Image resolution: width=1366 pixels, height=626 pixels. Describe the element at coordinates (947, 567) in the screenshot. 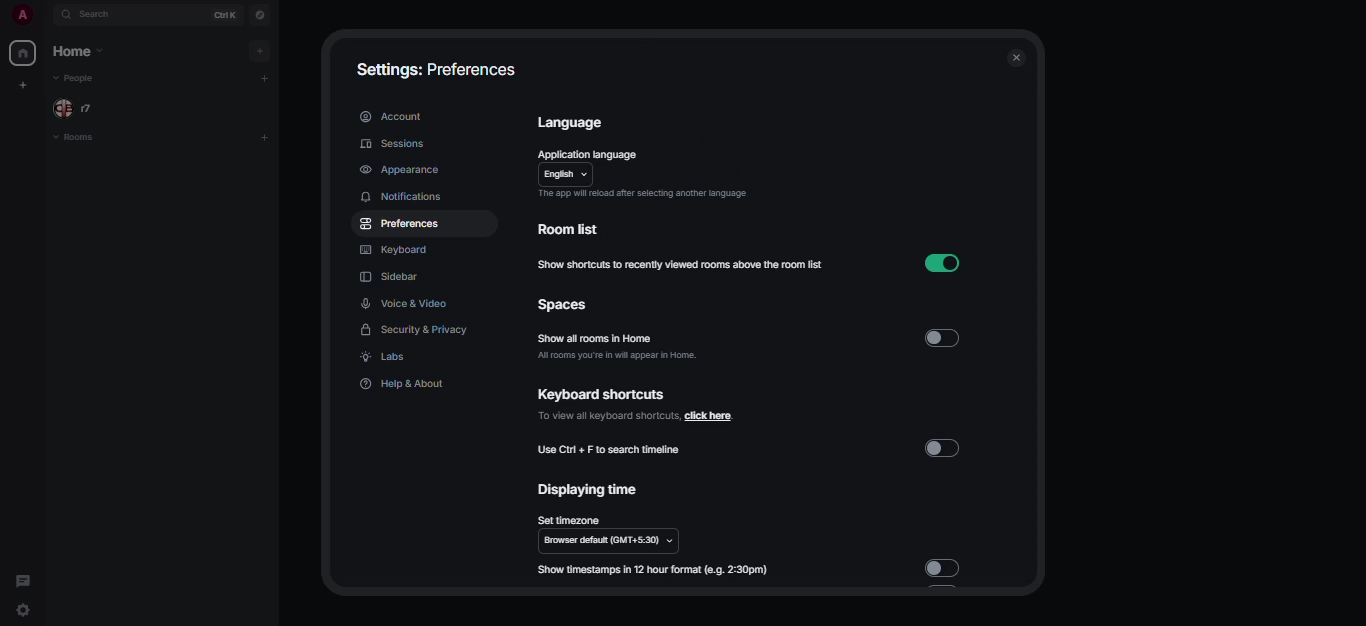

I see `disabled` at that location.